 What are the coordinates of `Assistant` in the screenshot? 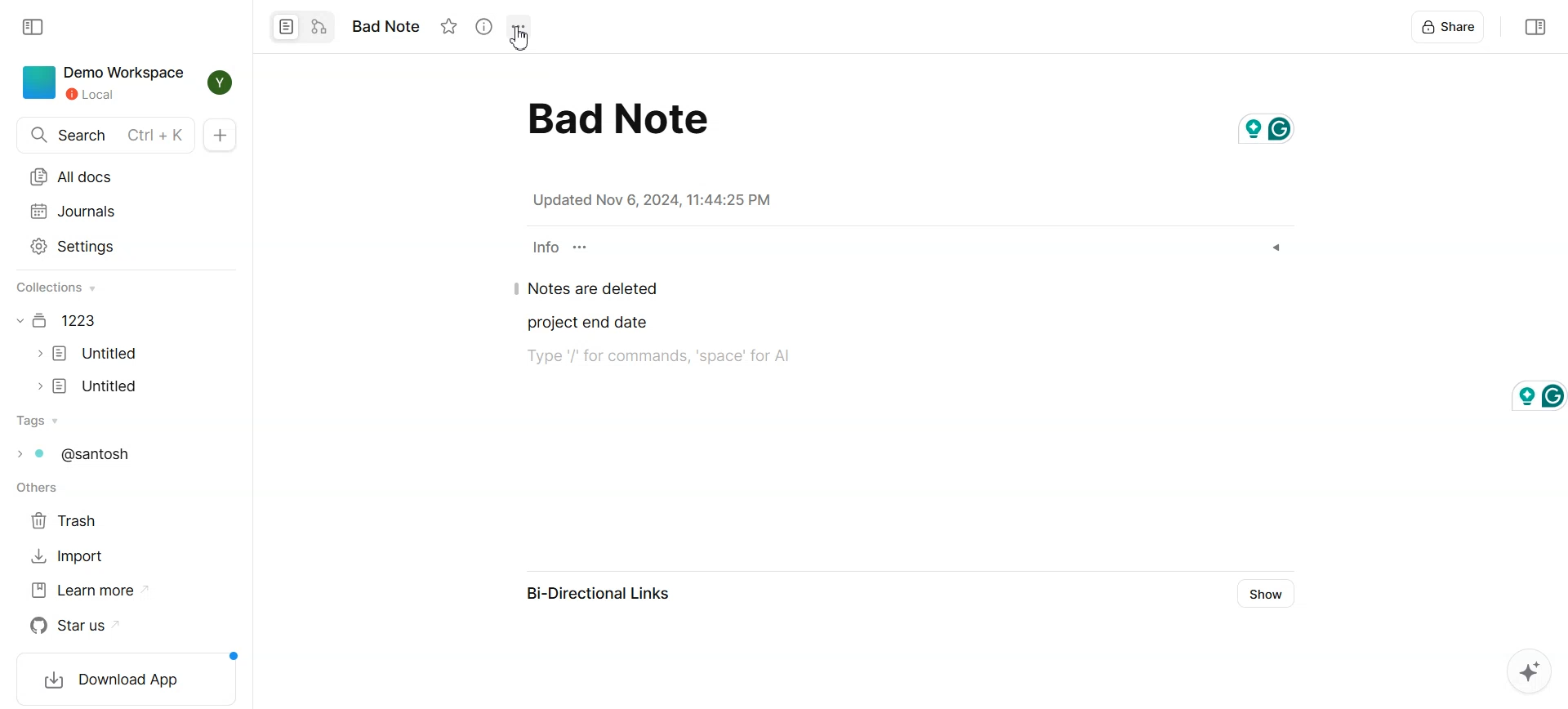 It's located at (1528, 671).